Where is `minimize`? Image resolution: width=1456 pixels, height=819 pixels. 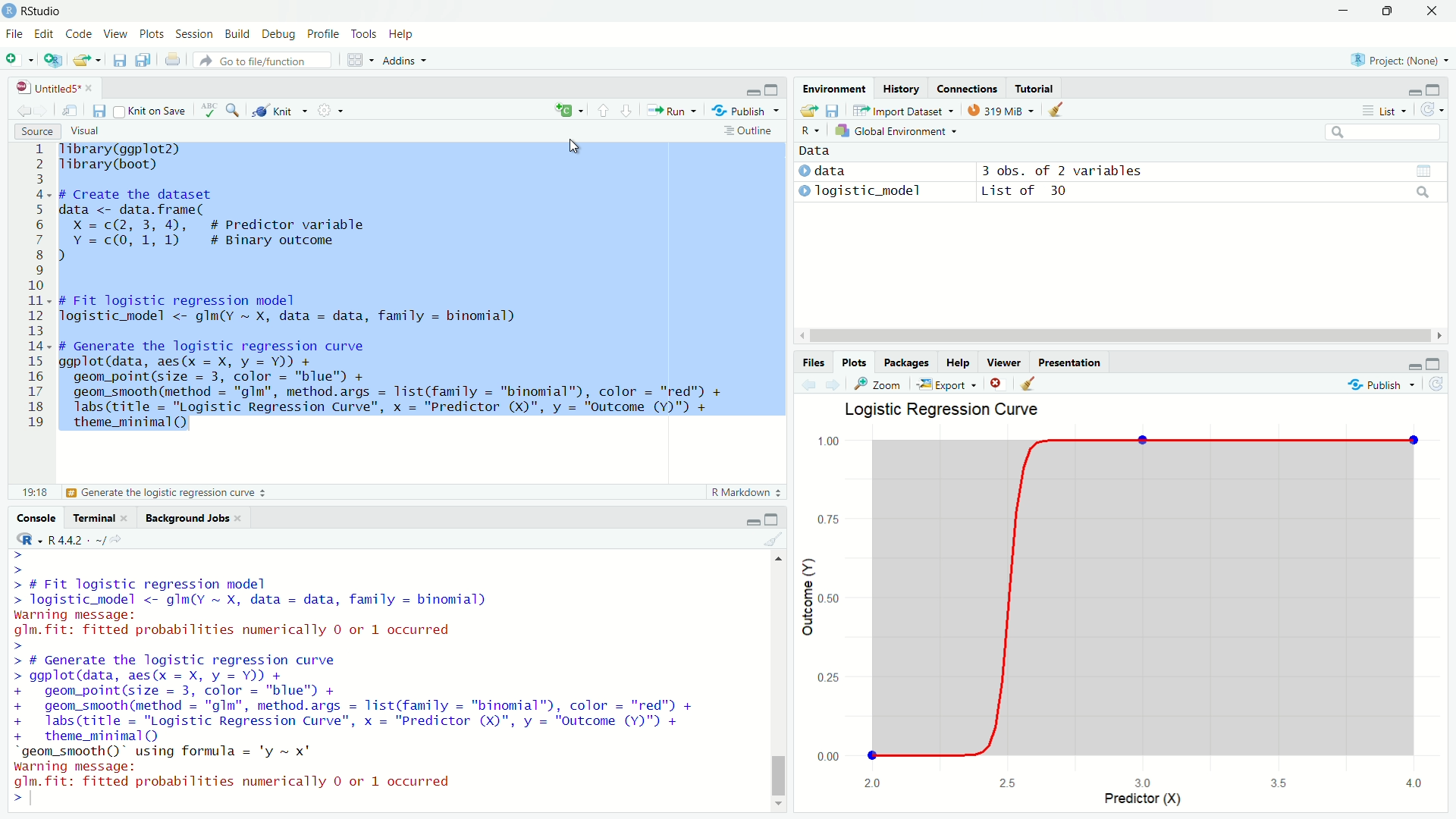
minimize is located at coordinates (1413, 367).